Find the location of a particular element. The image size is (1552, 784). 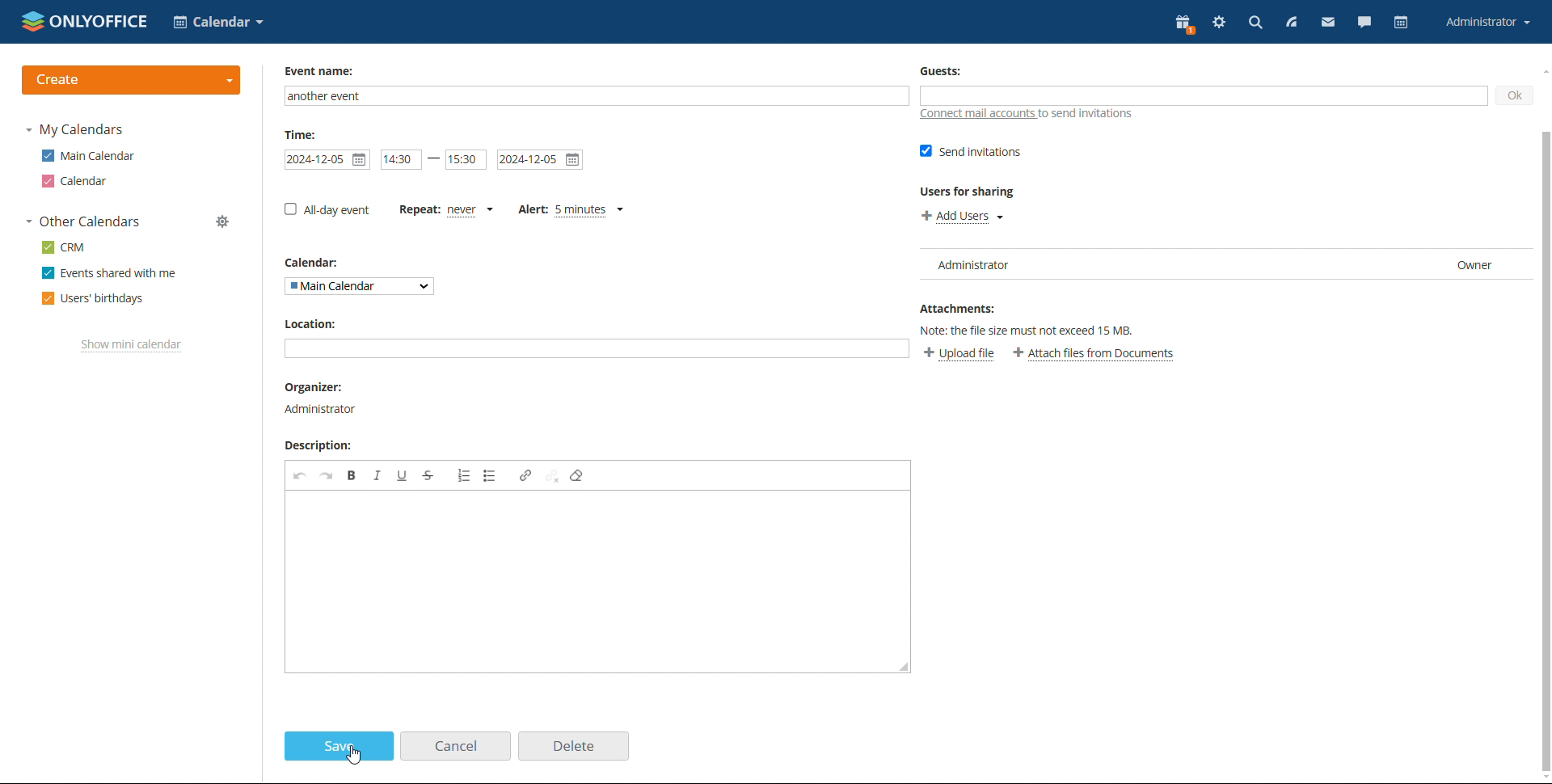

search is located at coordinates (1255, 23).